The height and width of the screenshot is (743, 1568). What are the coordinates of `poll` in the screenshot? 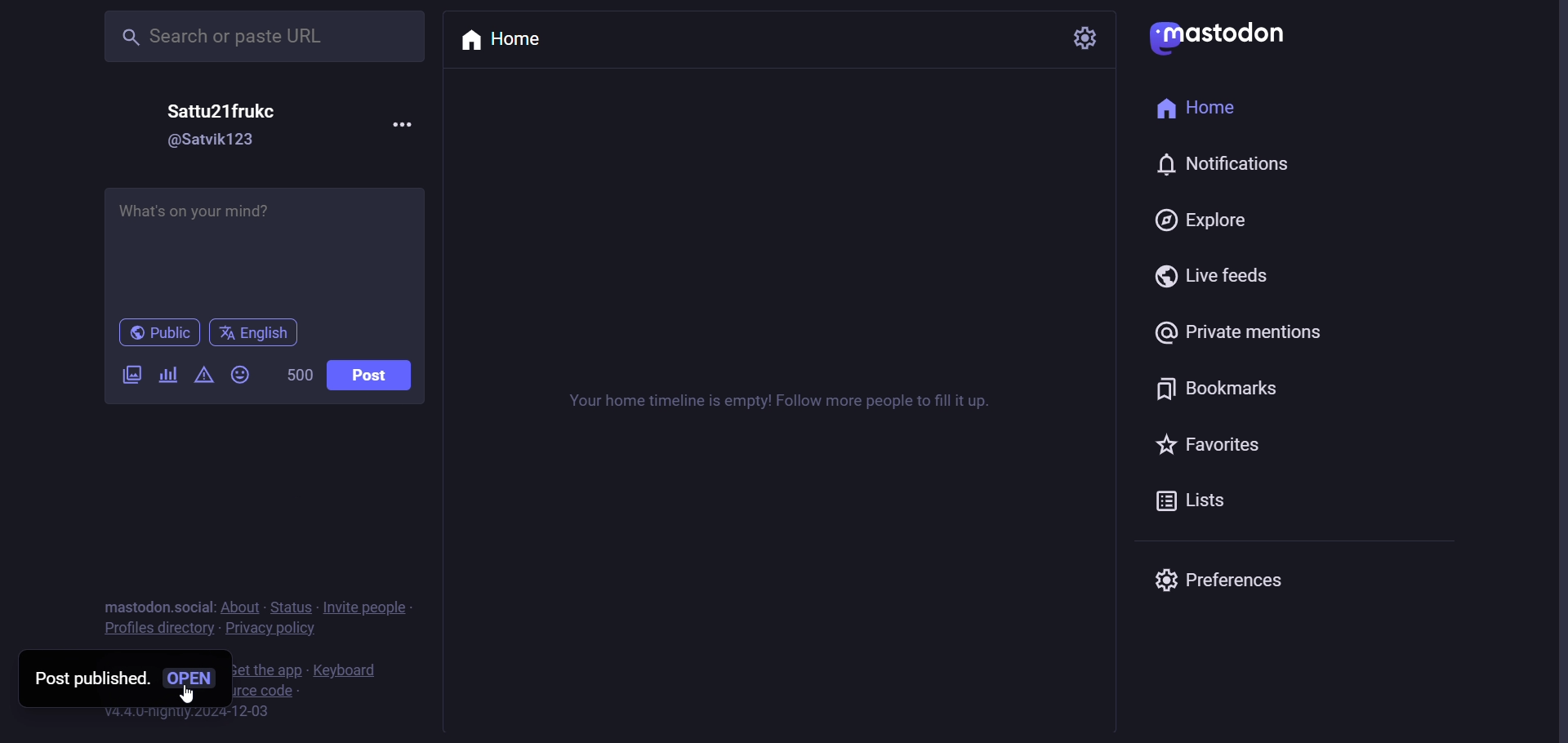 It's located at (167, 376).